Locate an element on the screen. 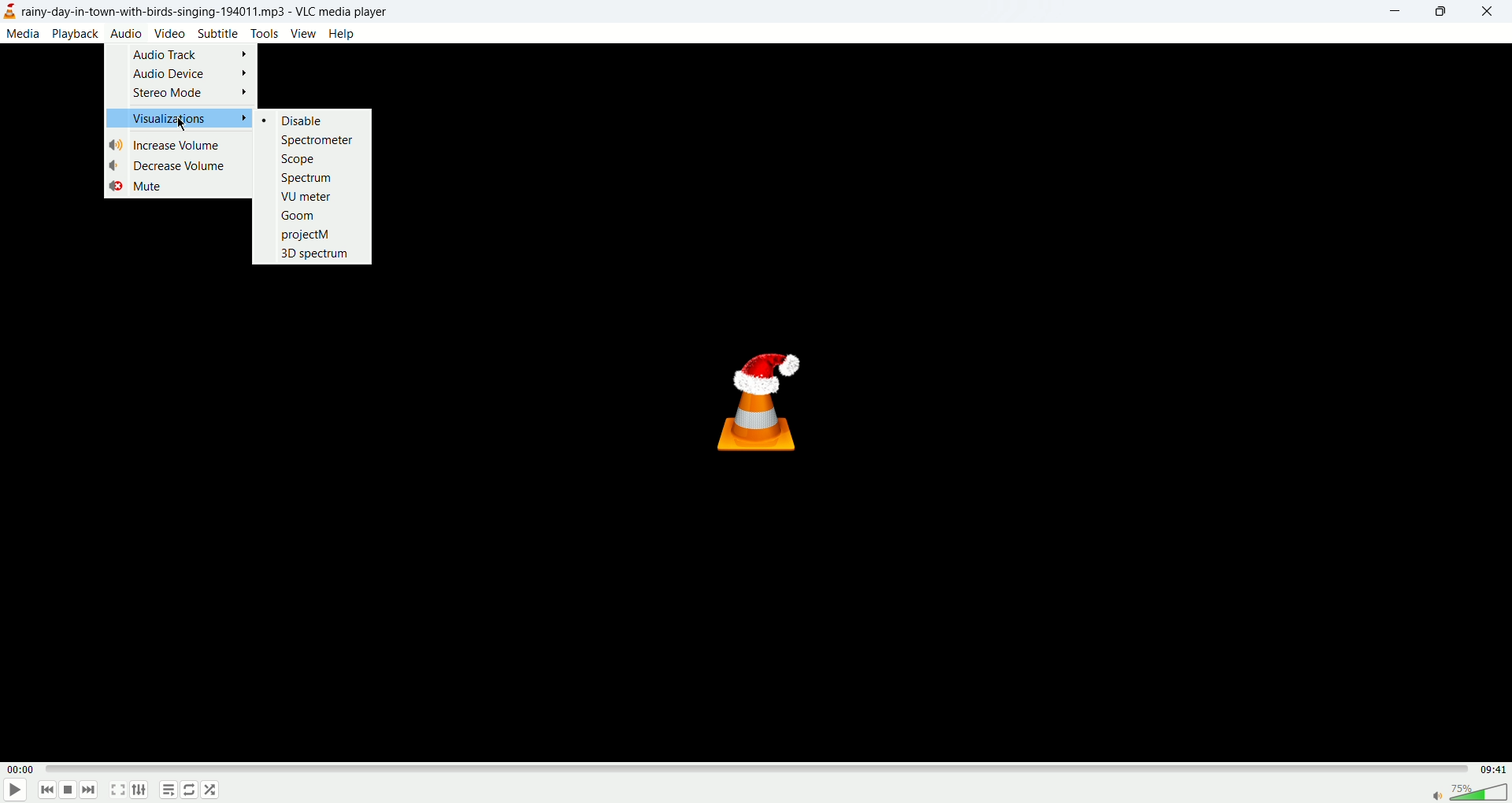 The width and height of the screenshot is (1512, 803). audio is located at coordinates (126, 35).